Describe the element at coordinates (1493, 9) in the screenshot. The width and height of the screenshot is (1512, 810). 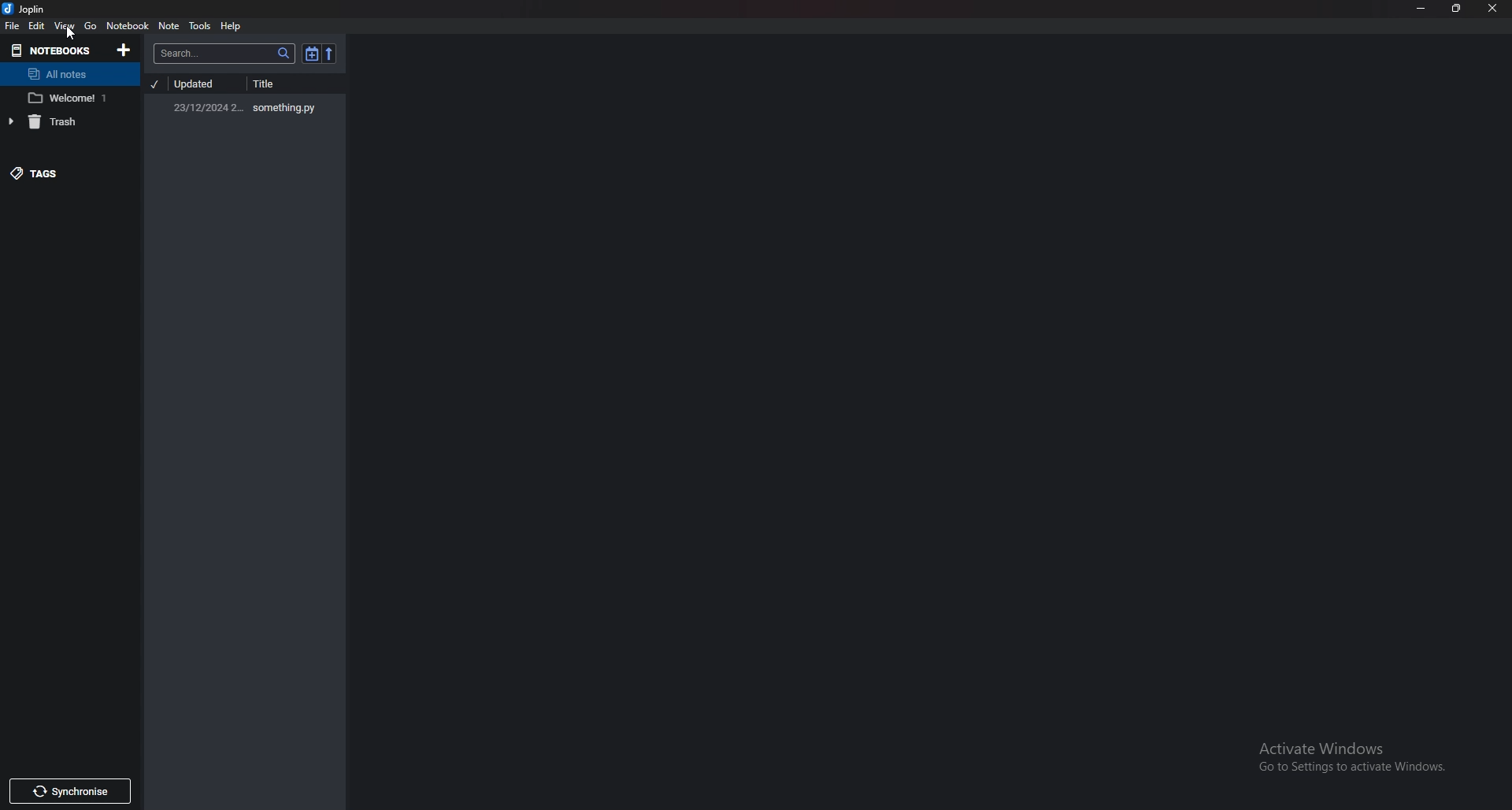
I see `close` at that location.